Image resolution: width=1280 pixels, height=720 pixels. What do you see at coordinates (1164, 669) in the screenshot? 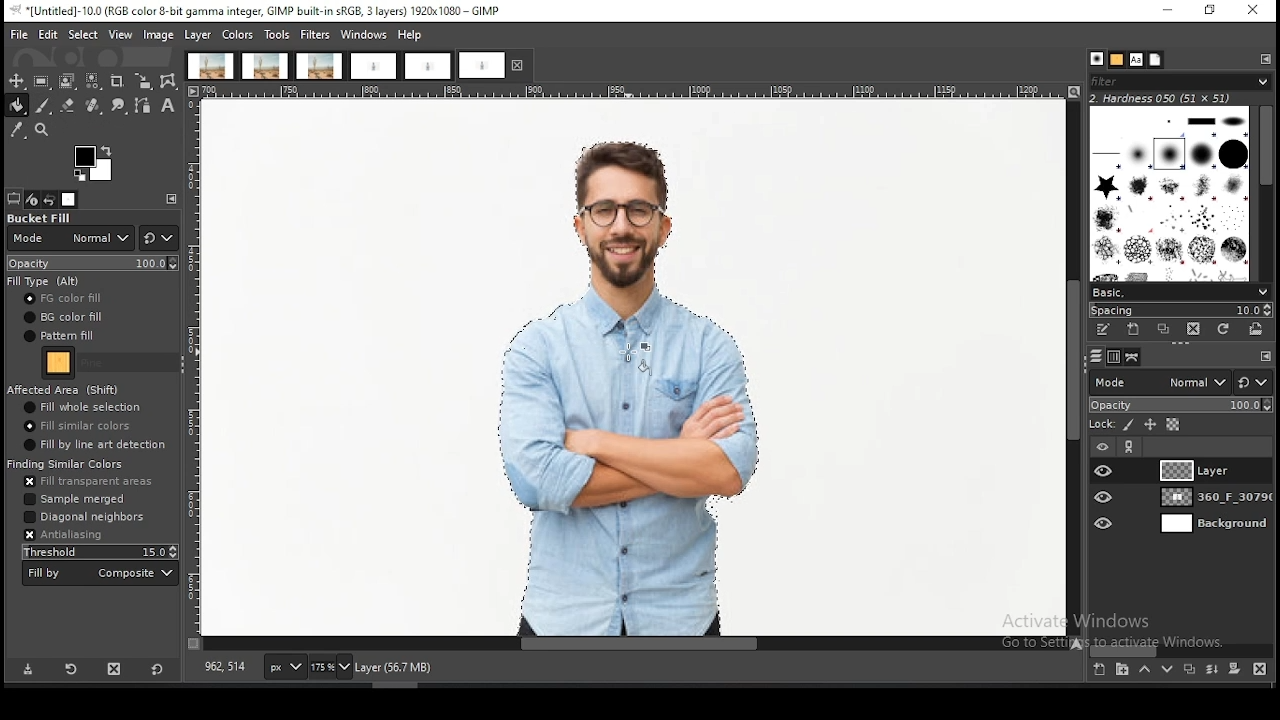
I see `move layer one step down` at bounding box center [1164, 669].